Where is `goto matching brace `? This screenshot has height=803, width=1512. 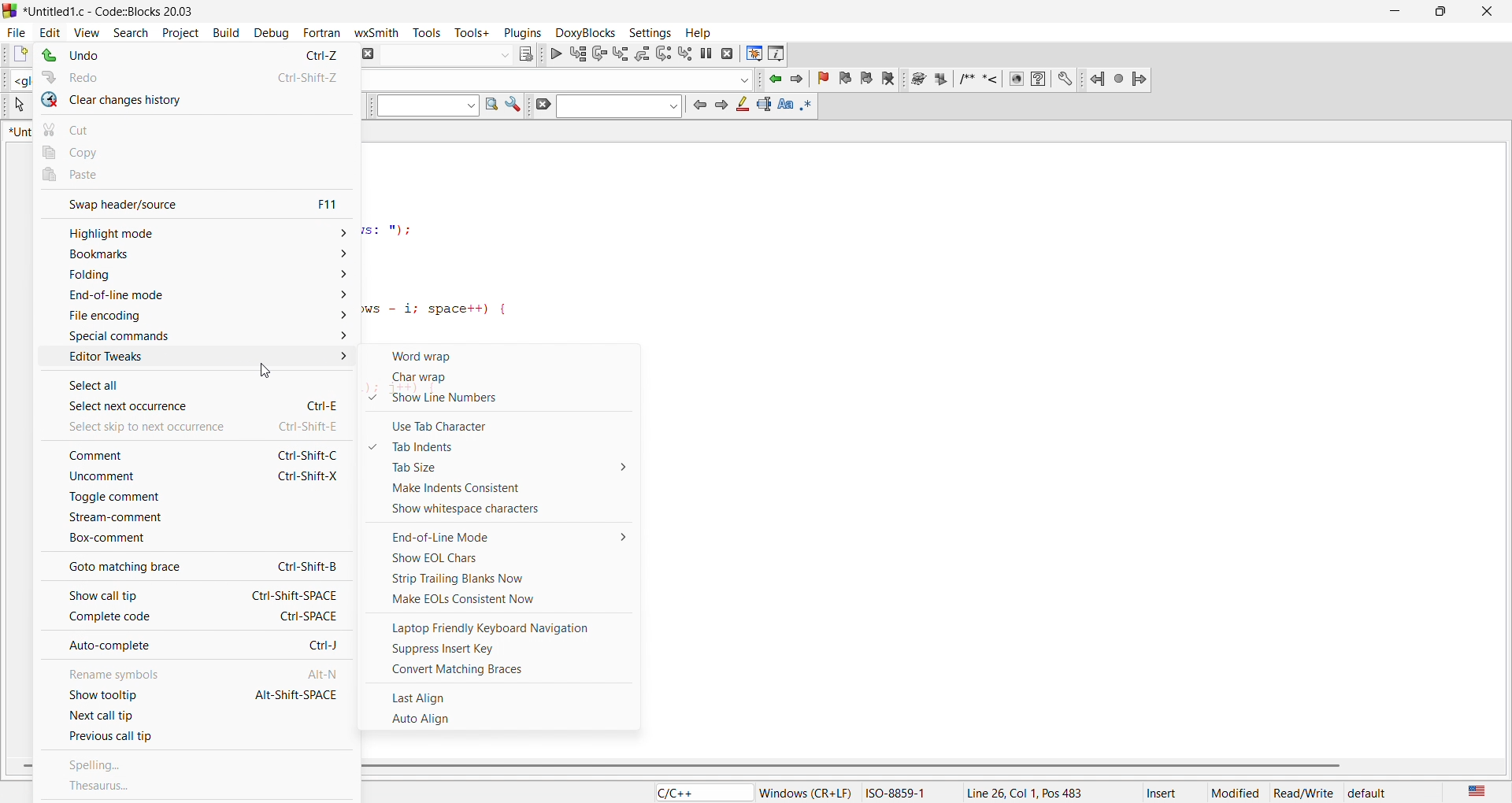 goto matching brace  is located at coordinates (125, 566).